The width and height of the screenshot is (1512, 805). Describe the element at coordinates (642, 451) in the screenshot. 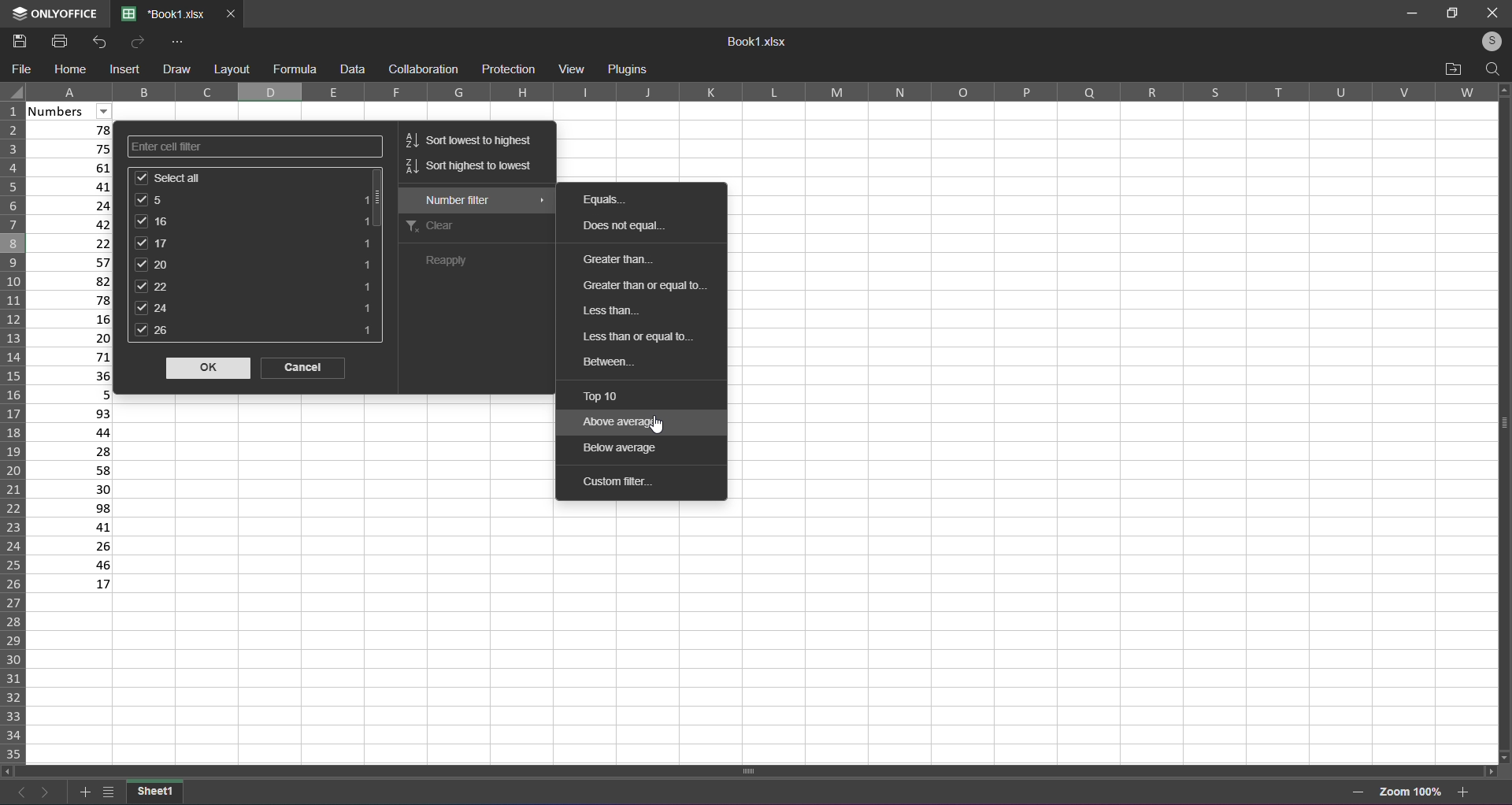

I see `below average` at that location.